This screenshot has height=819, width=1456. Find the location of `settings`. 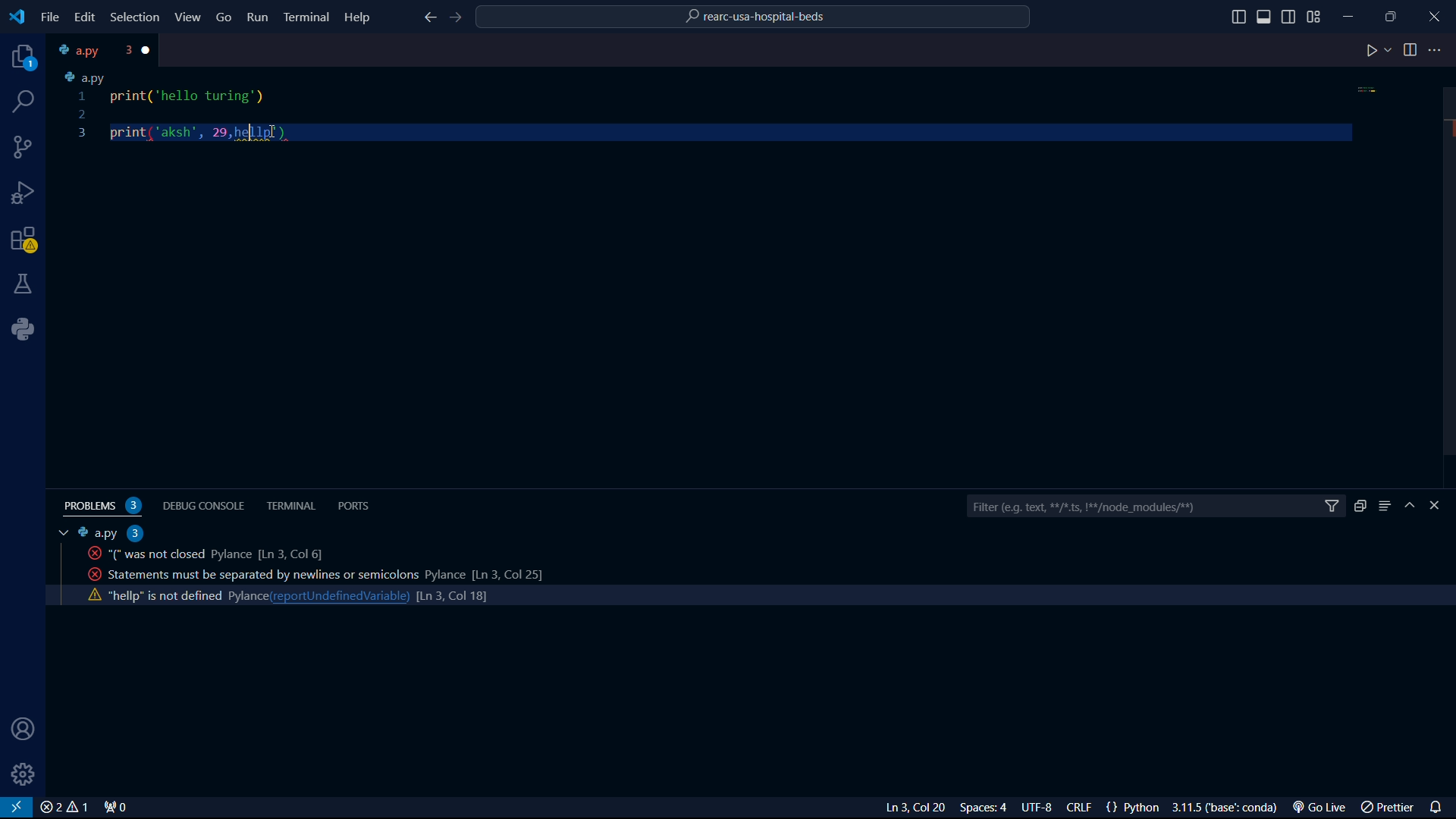

settings is located at coordinates (24, 774).